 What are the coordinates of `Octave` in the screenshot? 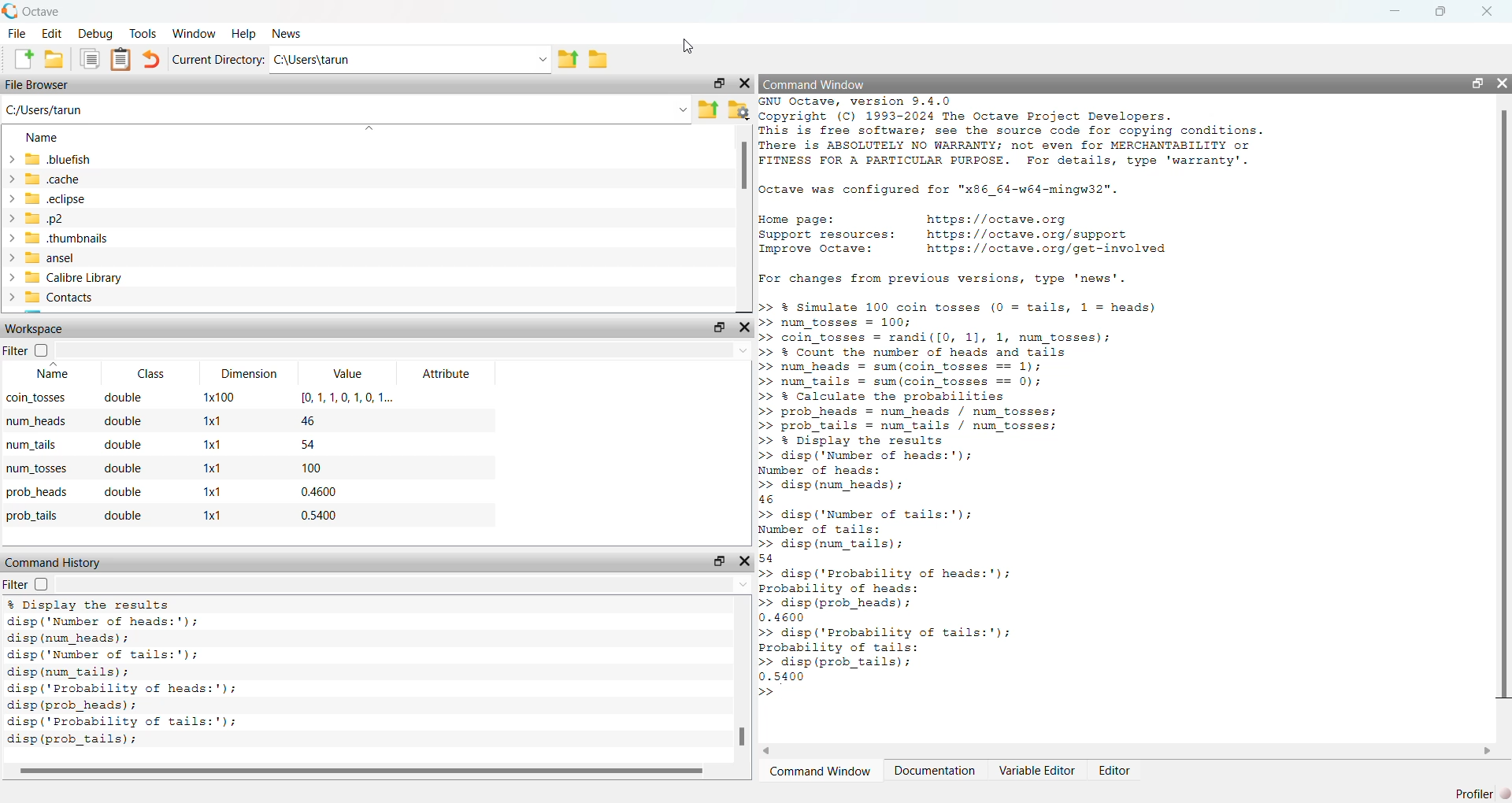 It's located at (40, 12).